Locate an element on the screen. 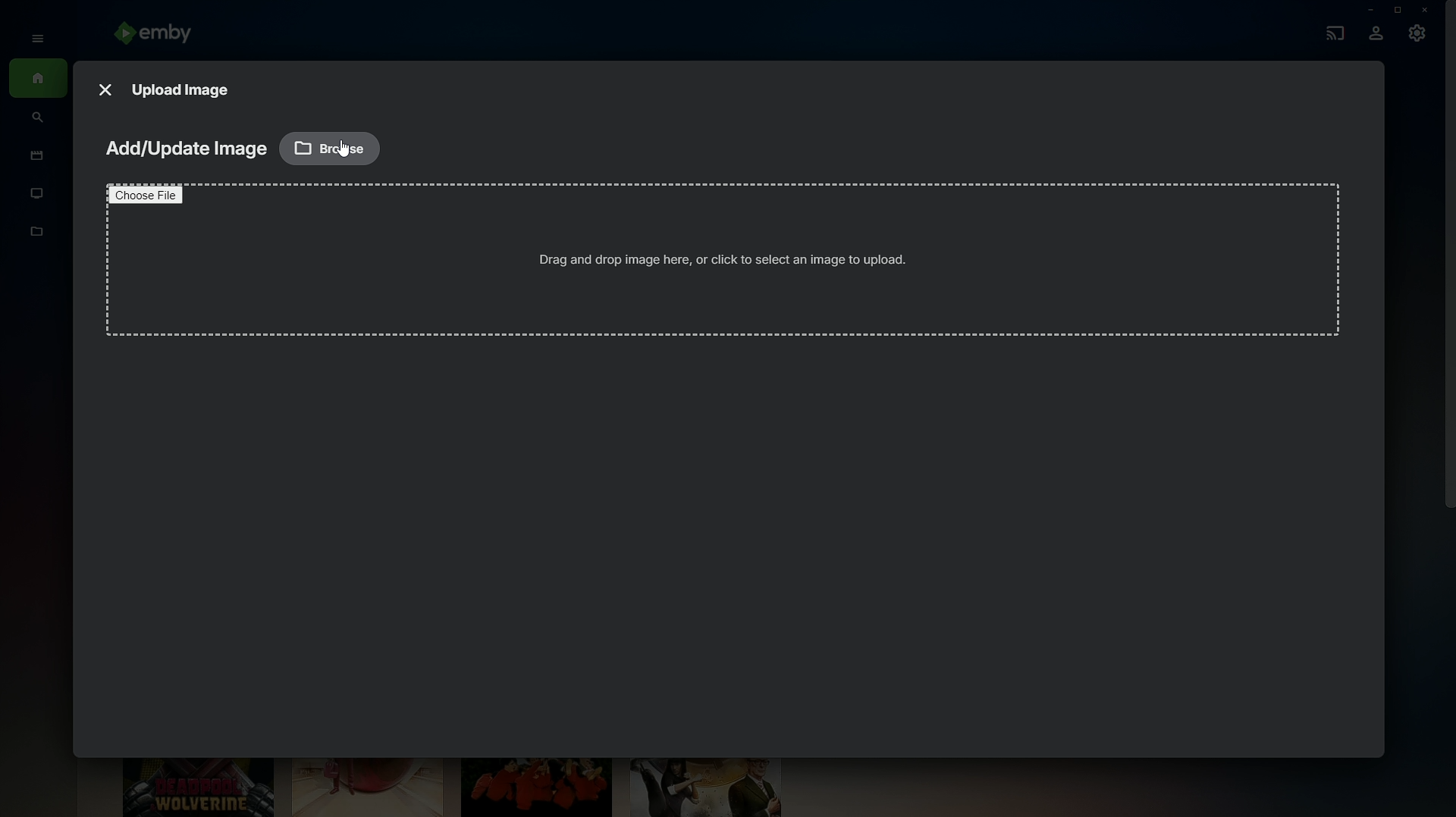 The height and width of the screenshot is (817, 1456). Browse is located at coordinates (331, 147).